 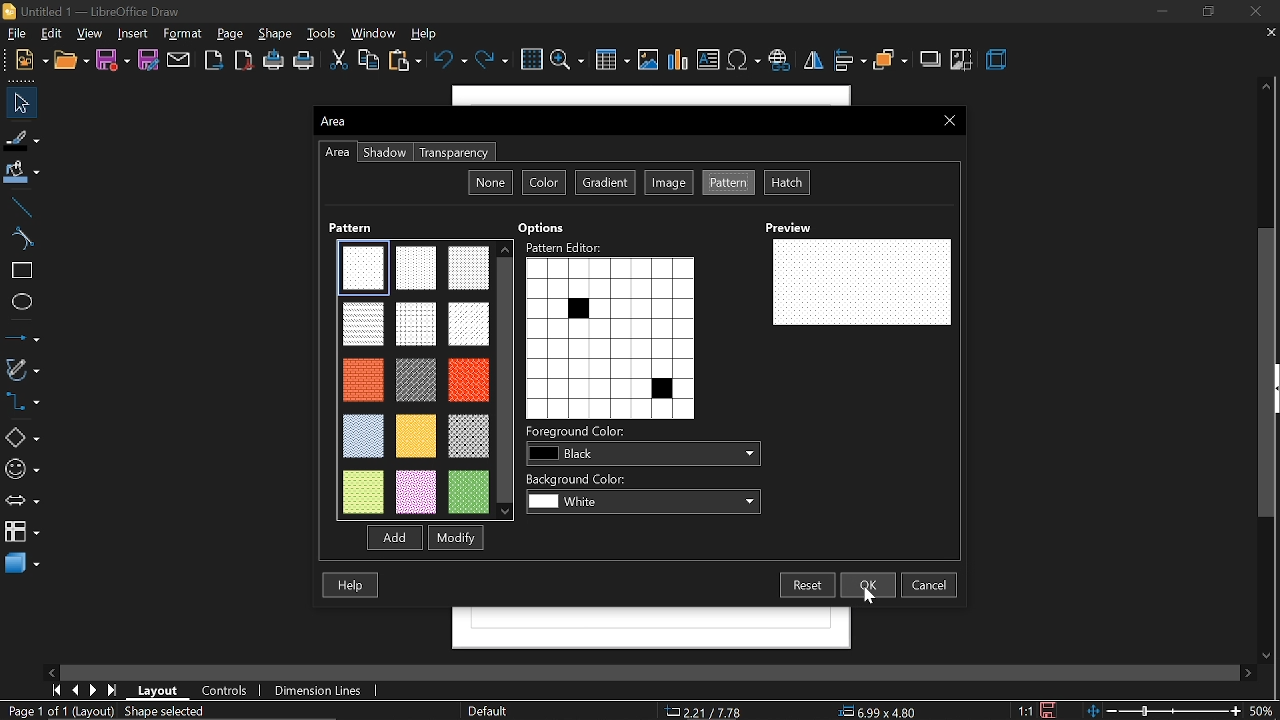 I want to click on page style, so click(x=490, y=711).